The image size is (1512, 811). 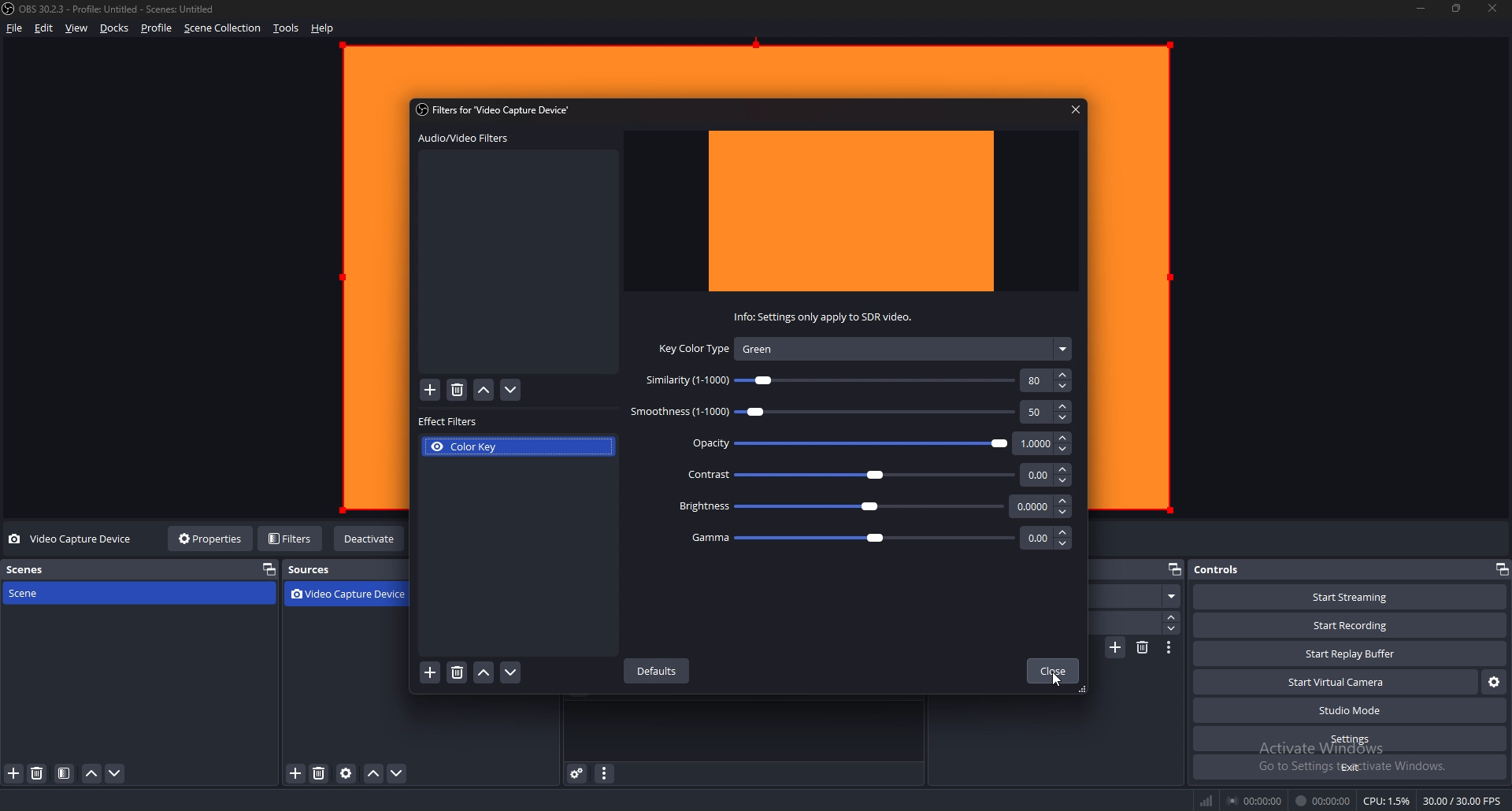 What do you see at coordinates (39, 774) in the screenshot?
I see `remove scene` at bounding box center [39, 774].